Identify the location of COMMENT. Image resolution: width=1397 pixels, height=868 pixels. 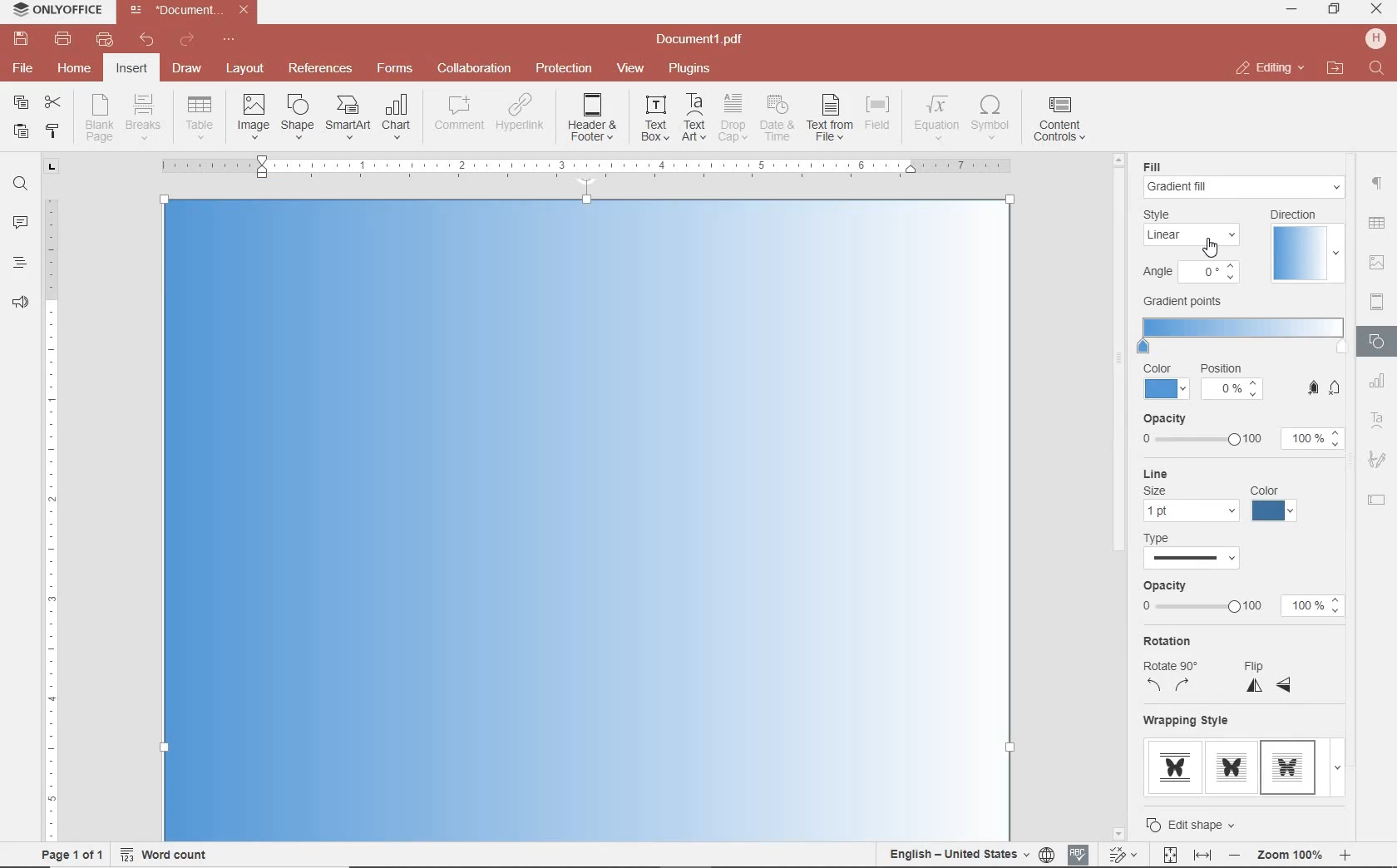
(461, 113).